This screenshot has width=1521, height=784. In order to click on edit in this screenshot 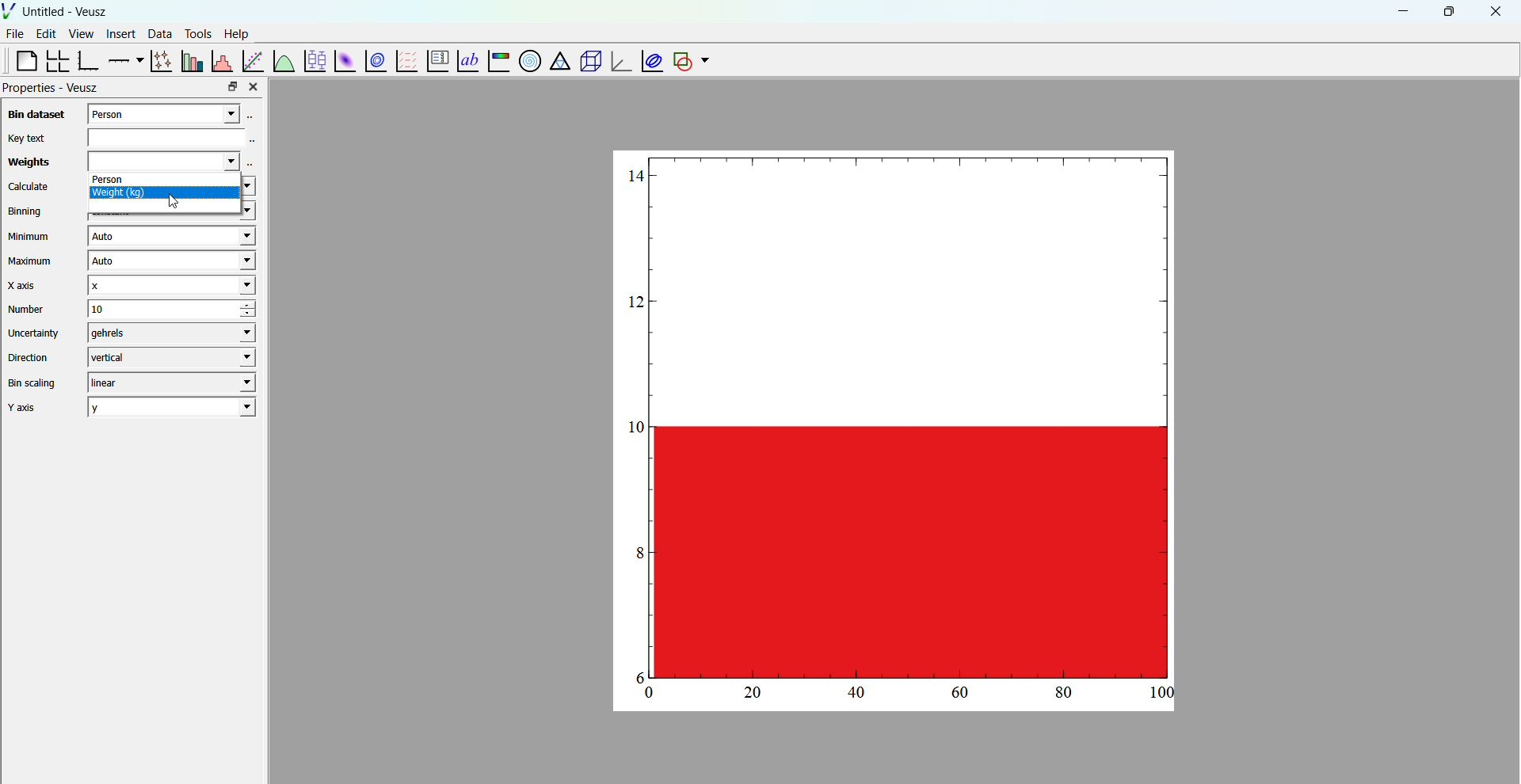, I will do `click(48, 34)`.